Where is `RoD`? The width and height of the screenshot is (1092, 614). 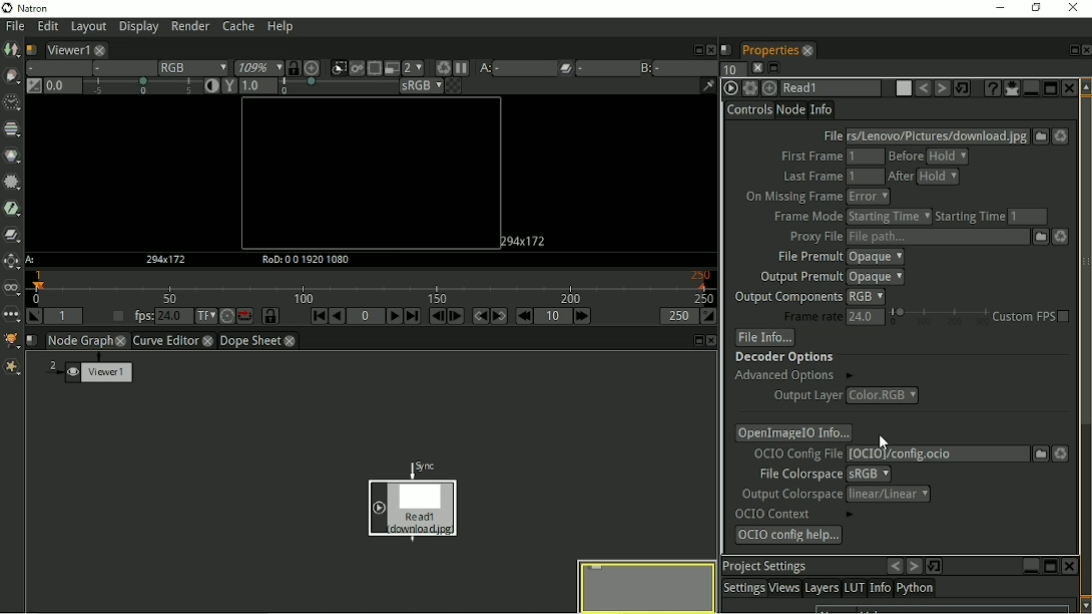
RoD is located at coordinates (302, 259).